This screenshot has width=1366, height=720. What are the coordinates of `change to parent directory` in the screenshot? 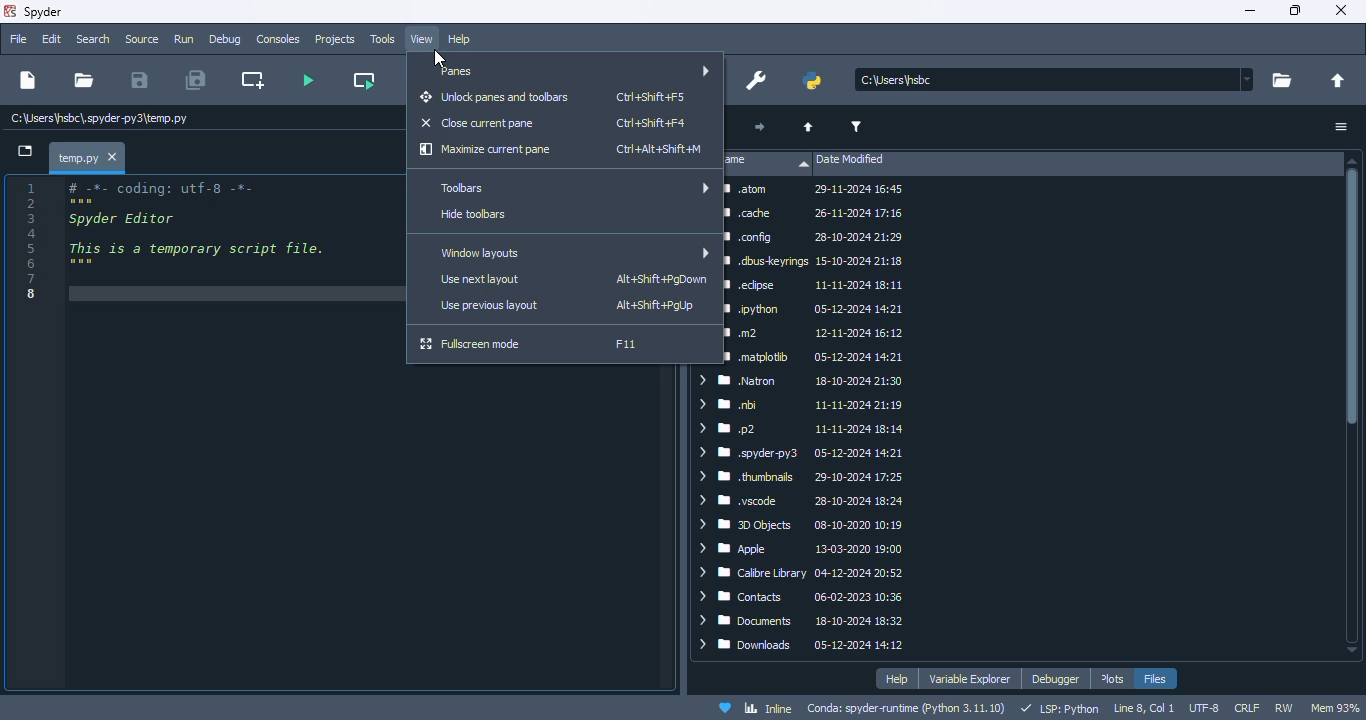 It's located at (1339, 81).